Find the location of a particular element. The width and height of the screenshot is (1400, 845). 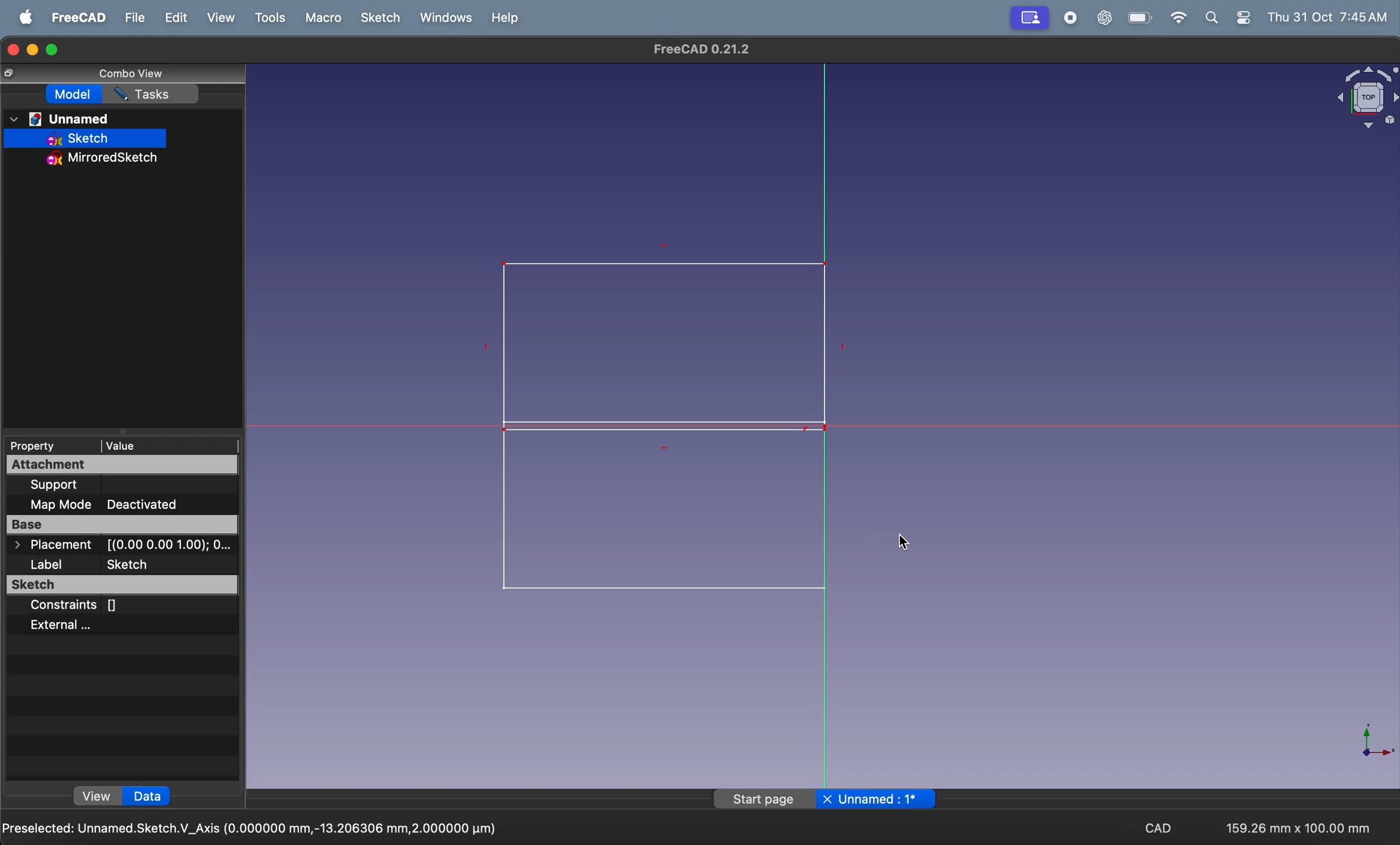

unnamed is located at coordinates (73, 118).